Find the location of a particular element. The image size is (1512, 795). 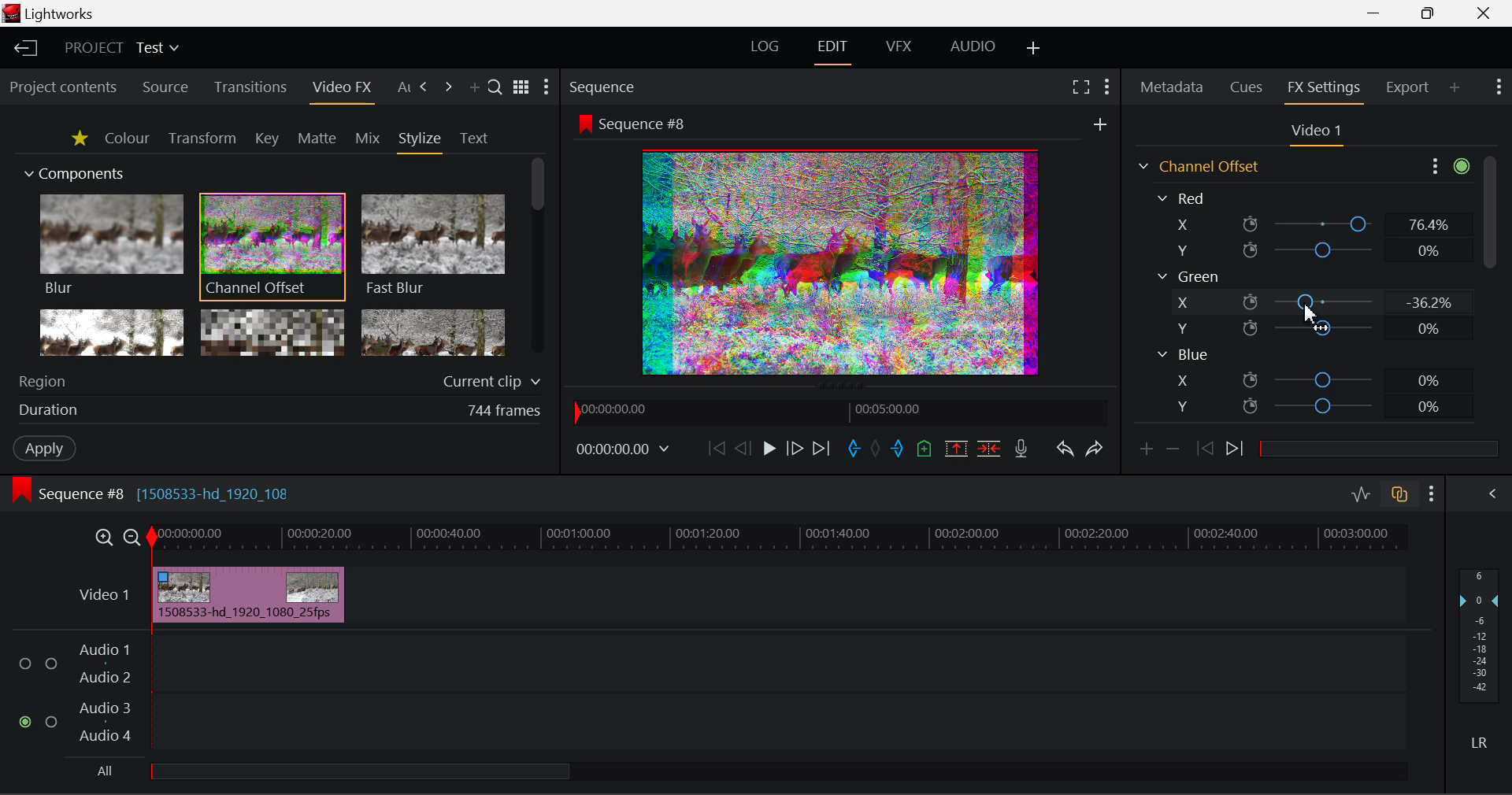

Project contents is located at coordinates (62, 88).